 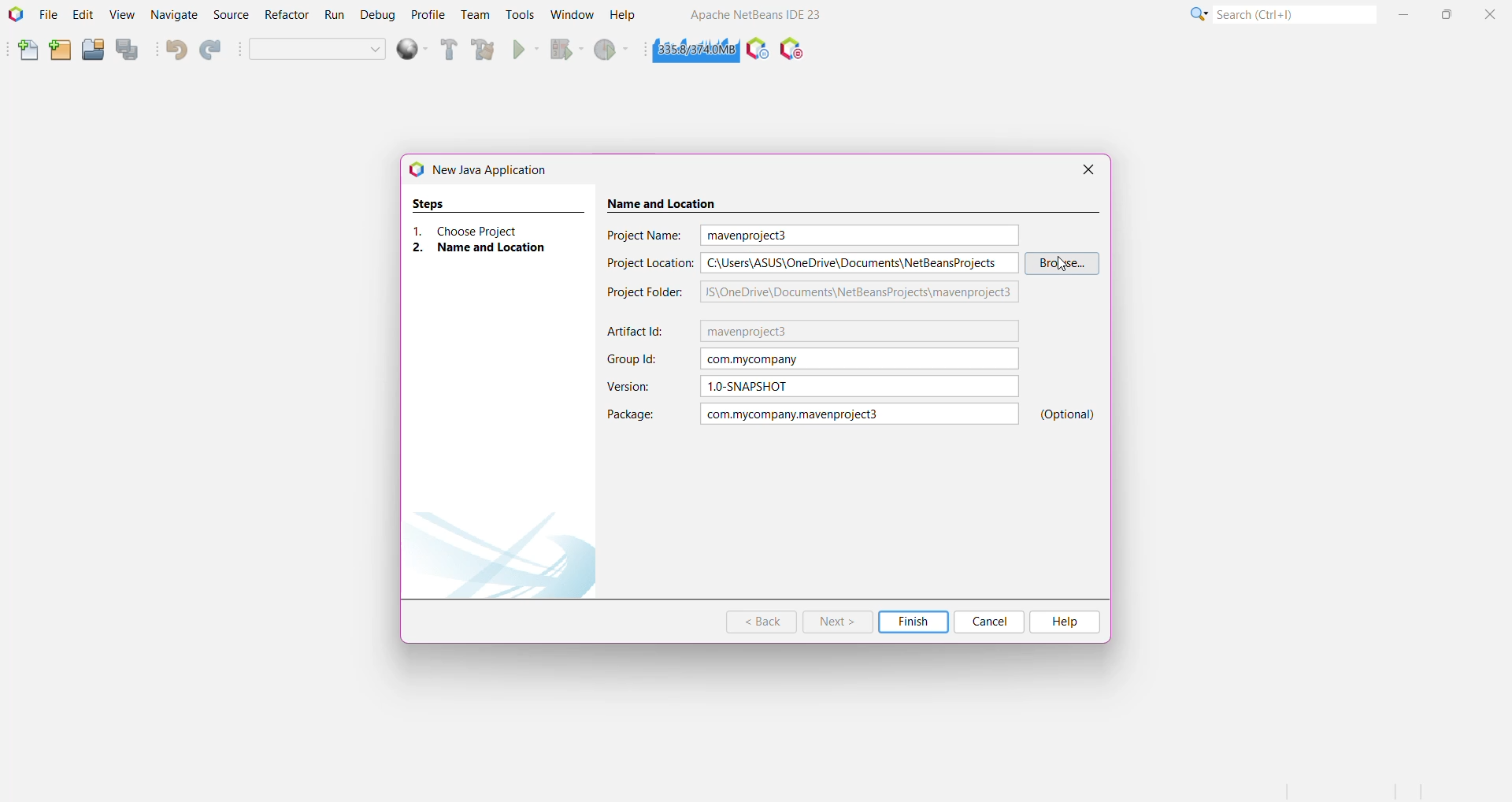 I want to click on Project Name, so click(x=860, y=414).